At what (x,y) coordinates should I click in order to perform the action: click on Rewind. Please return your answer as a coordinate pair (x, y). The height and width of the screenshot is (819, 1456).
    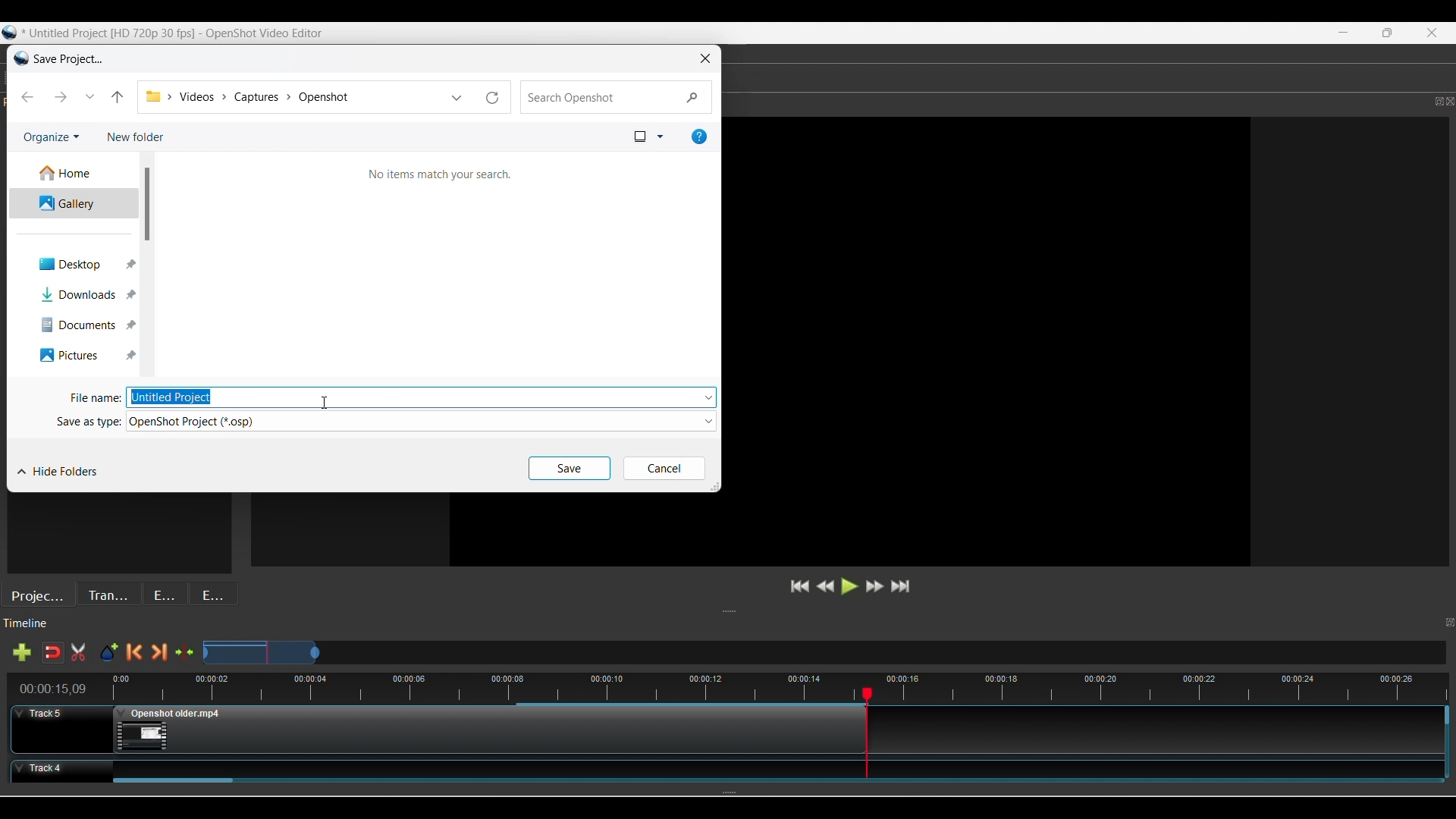
    Looking at the image, I should click on (826, 586).